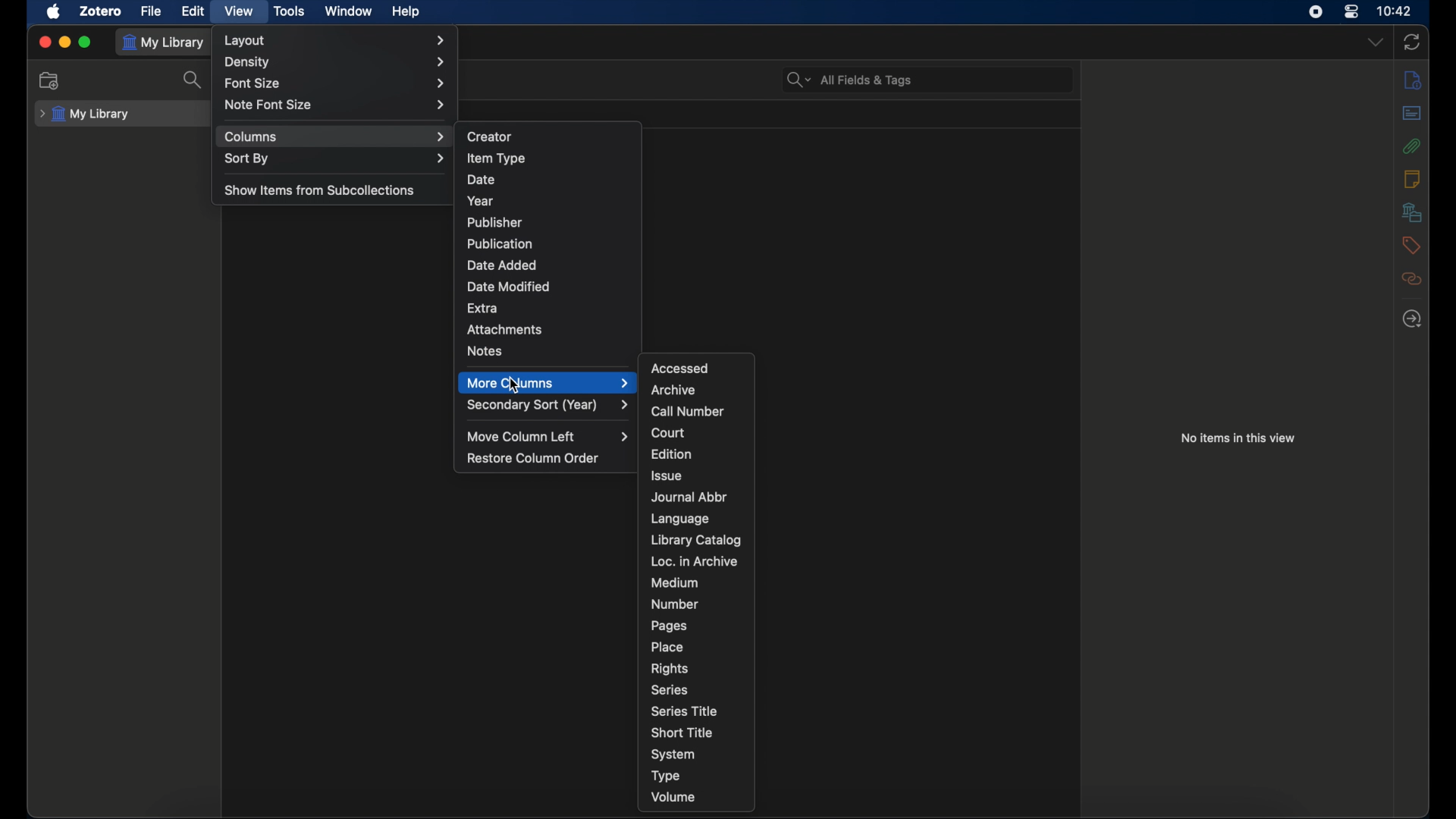  Describe the element at coordinates (481, 180) in the screenshot. I see `date` at that location.